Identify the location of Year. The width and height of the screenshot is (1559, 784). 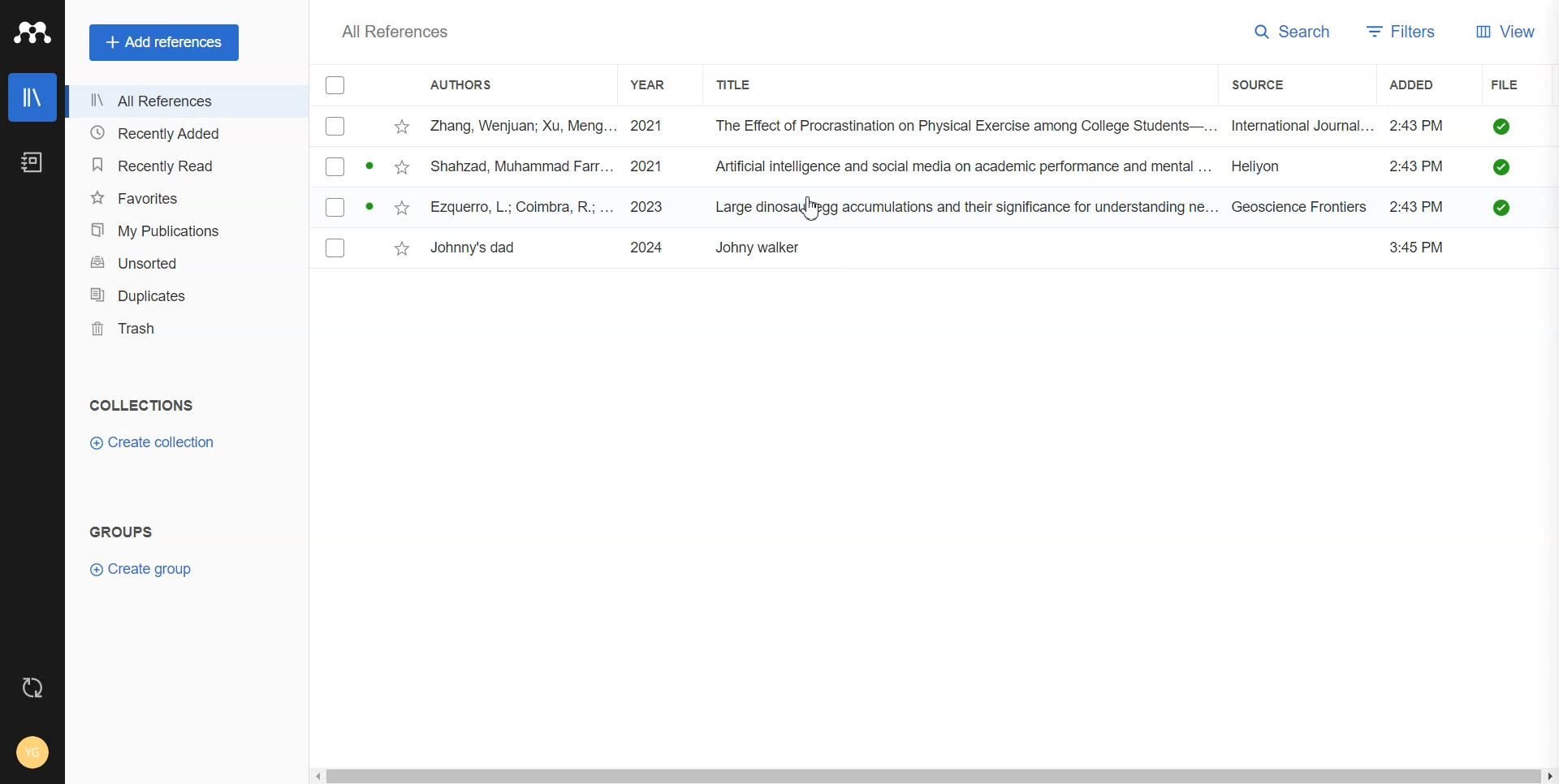
(659, 84).